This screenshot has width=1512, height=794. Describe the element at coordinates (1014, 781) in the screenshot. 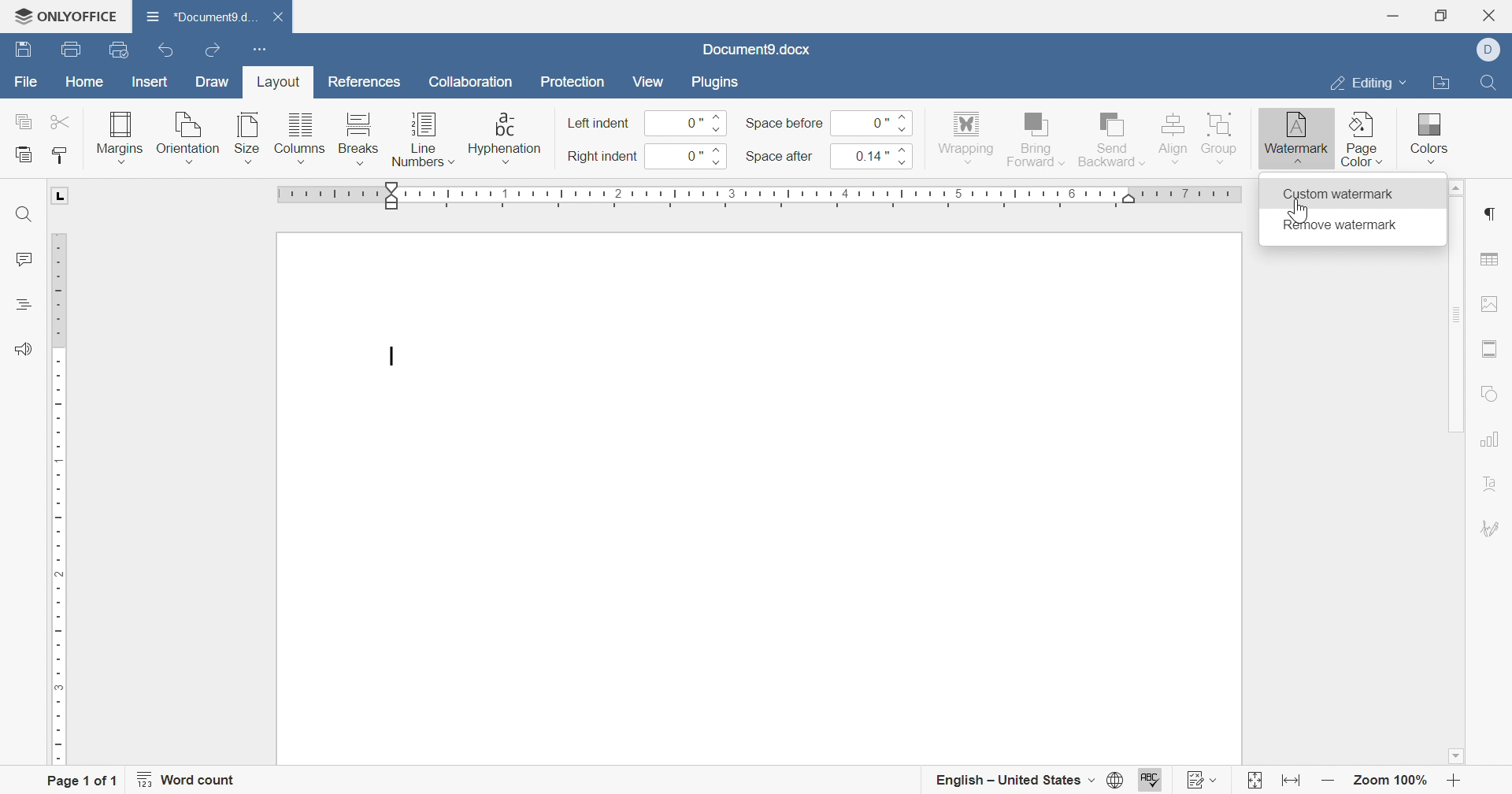

I see `english - united states` at that location.